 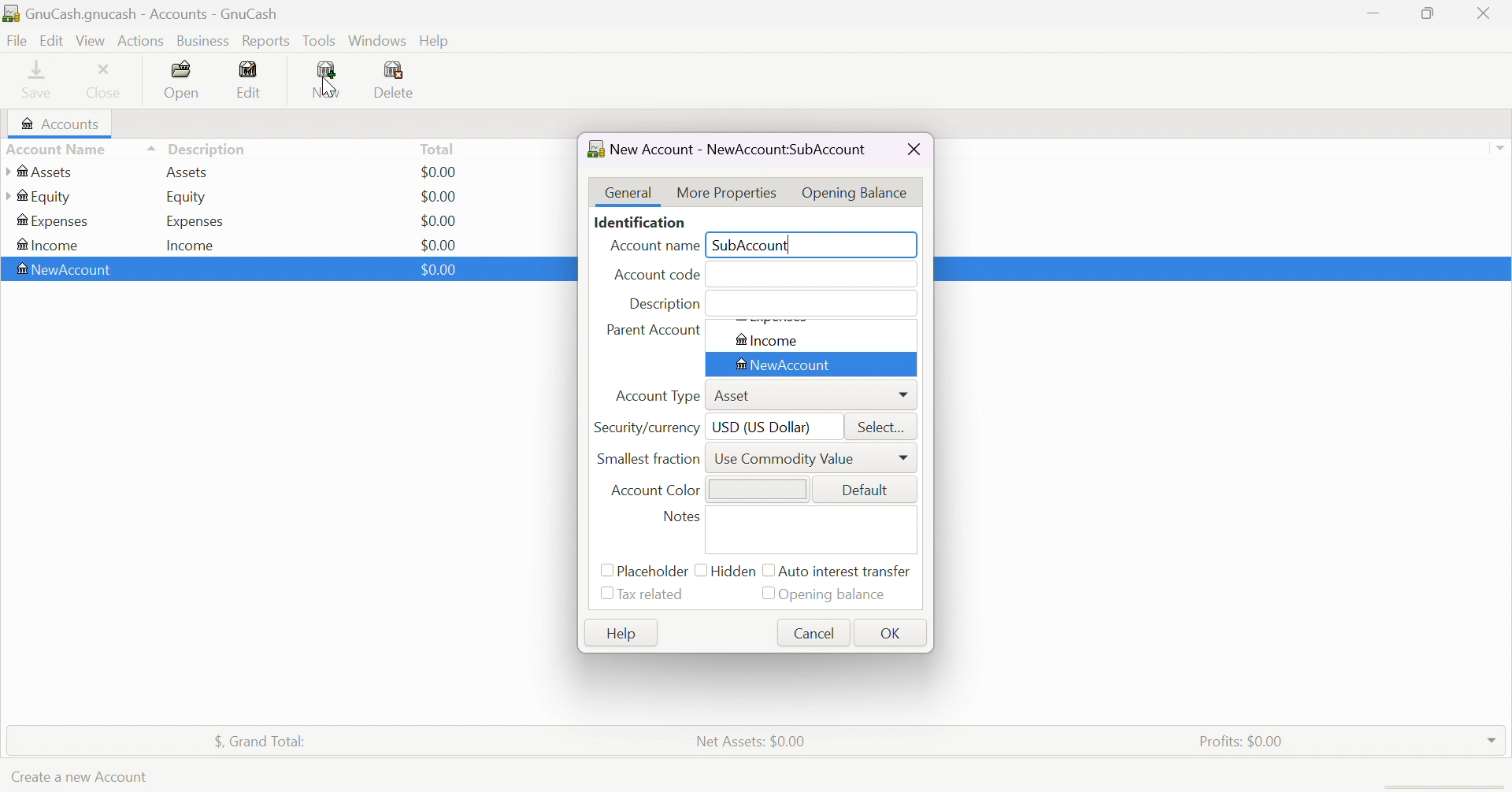 I want to click on Cursor, so click(x=332, y=87).